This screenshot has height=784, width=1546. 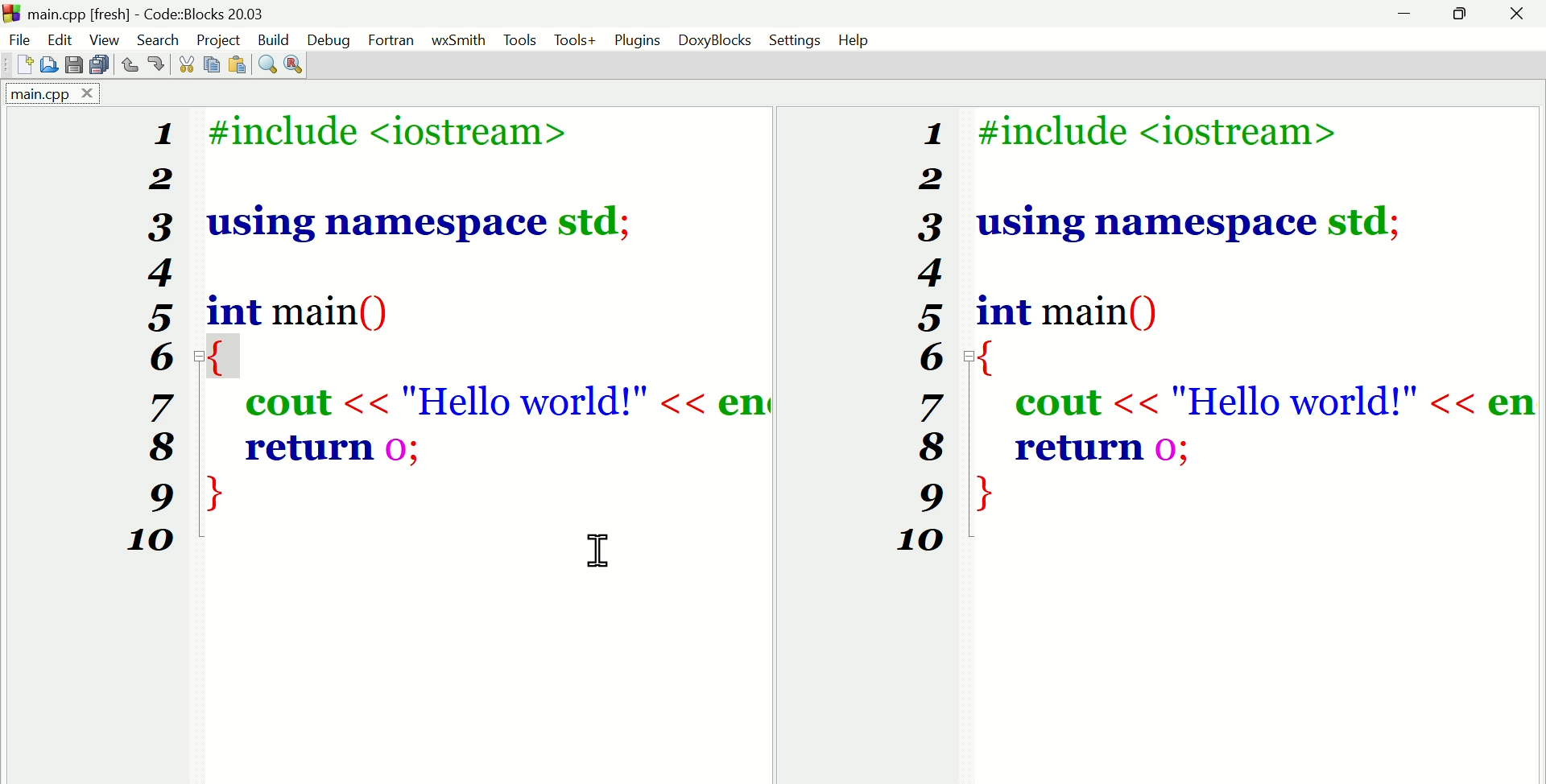 I want to click on Debug, so click(x=329, y=39).